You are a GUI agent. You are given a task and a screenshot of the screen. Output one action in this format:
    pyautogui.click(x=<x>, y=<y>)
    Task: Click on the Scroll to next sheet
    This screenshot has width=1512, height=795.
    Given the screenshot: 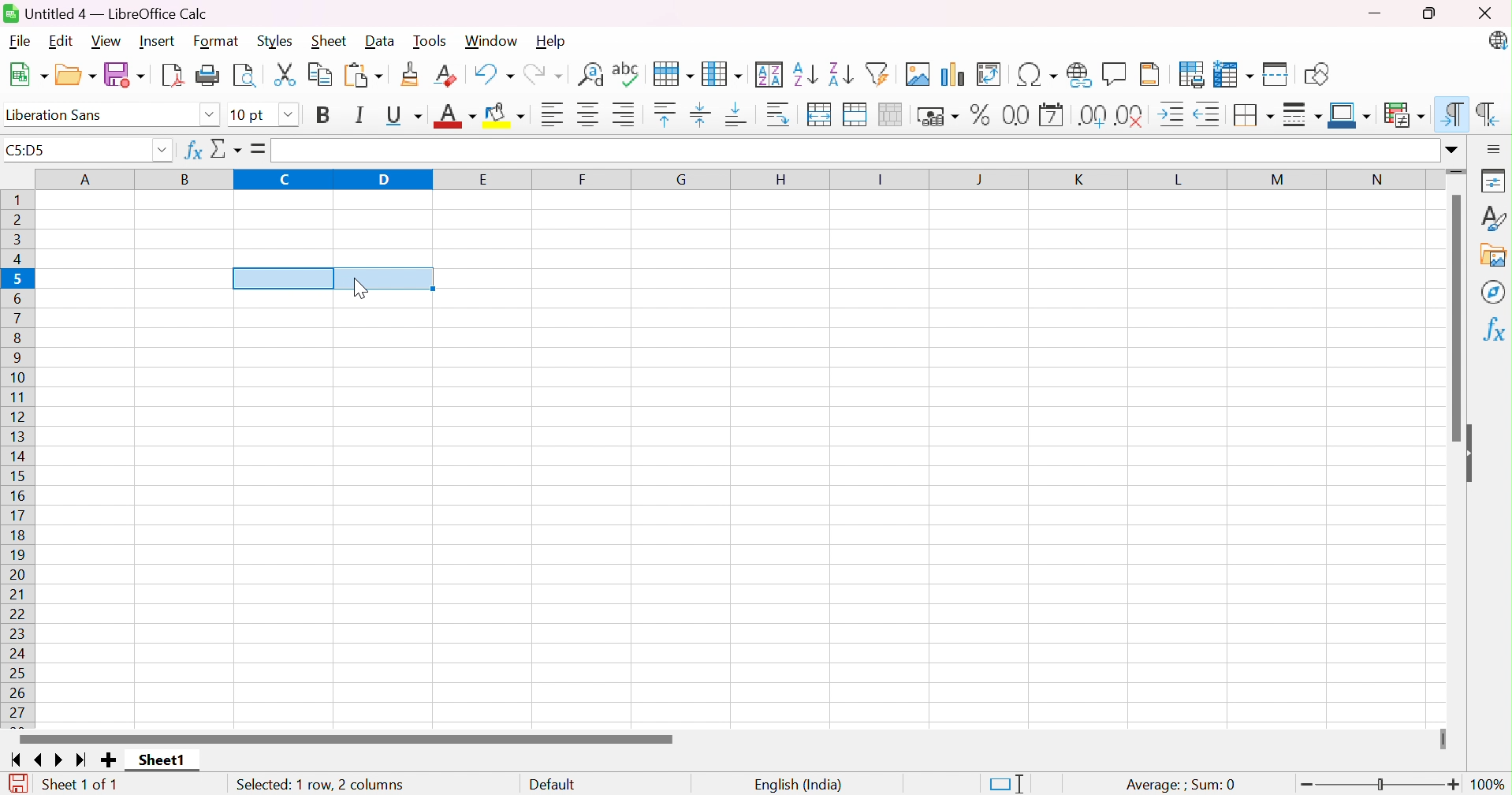 What is the action you would take?
    pyautogui.click(x=63, y=762)
    